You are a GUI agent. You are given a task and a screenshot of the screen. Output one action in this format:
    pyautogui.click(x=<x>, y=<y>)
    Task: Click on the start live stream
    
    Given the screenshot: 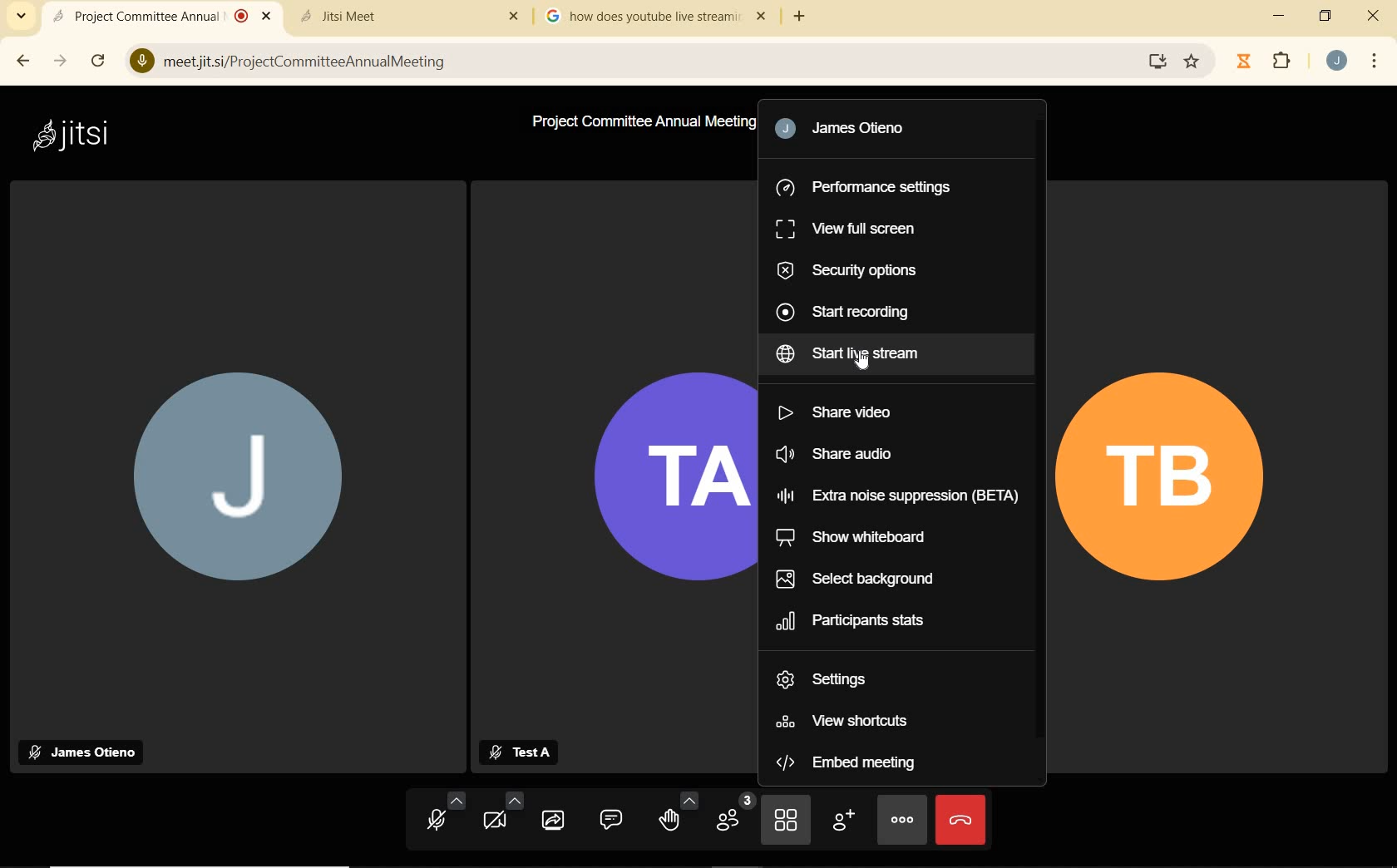 What is the action you would take?
    pyautogui.click(x=853, y=353)
    